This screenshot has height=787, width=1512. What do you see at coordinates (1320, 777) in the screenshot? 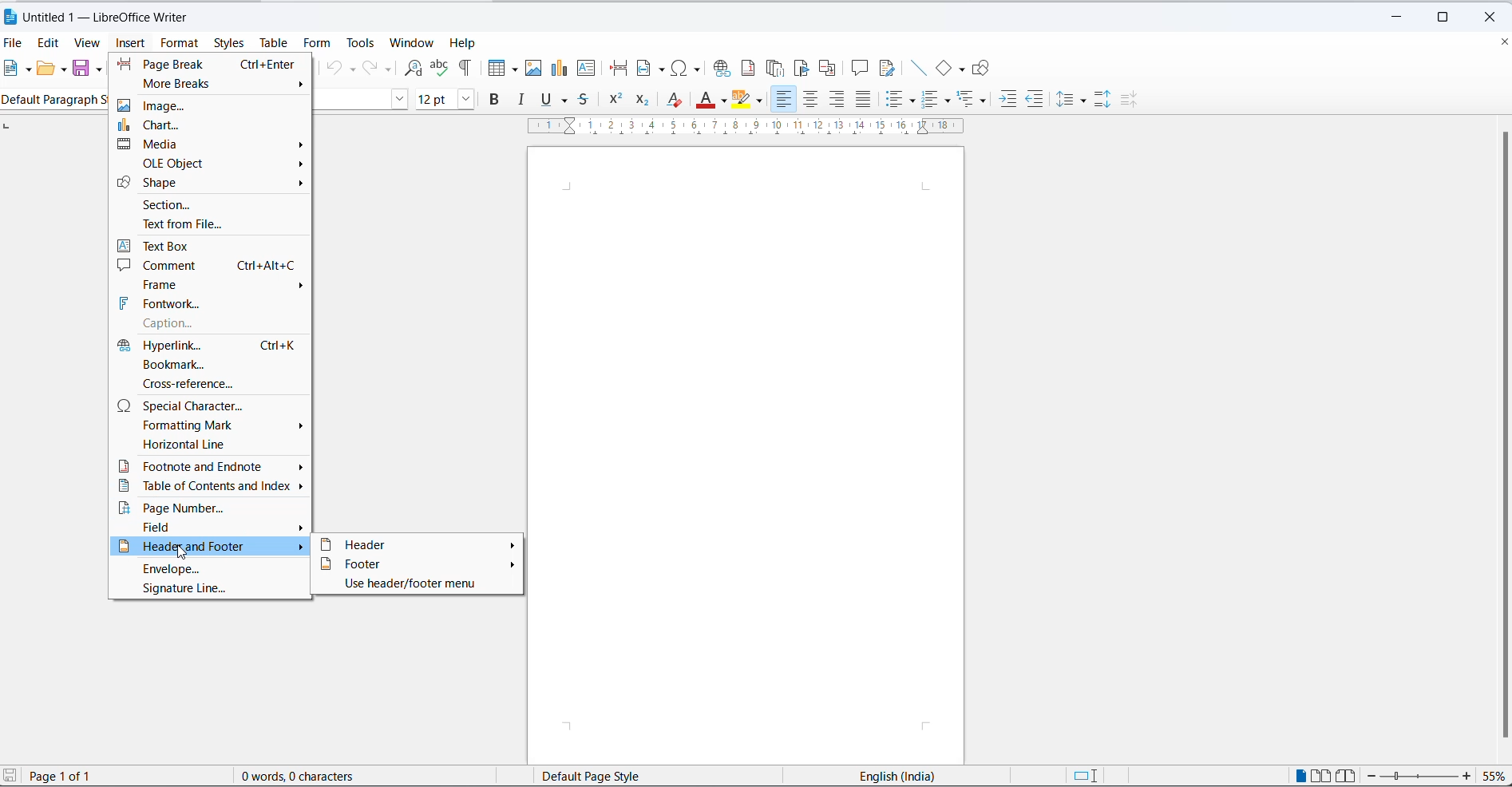
I see `multi page view` at bounding box center [1320, 777].